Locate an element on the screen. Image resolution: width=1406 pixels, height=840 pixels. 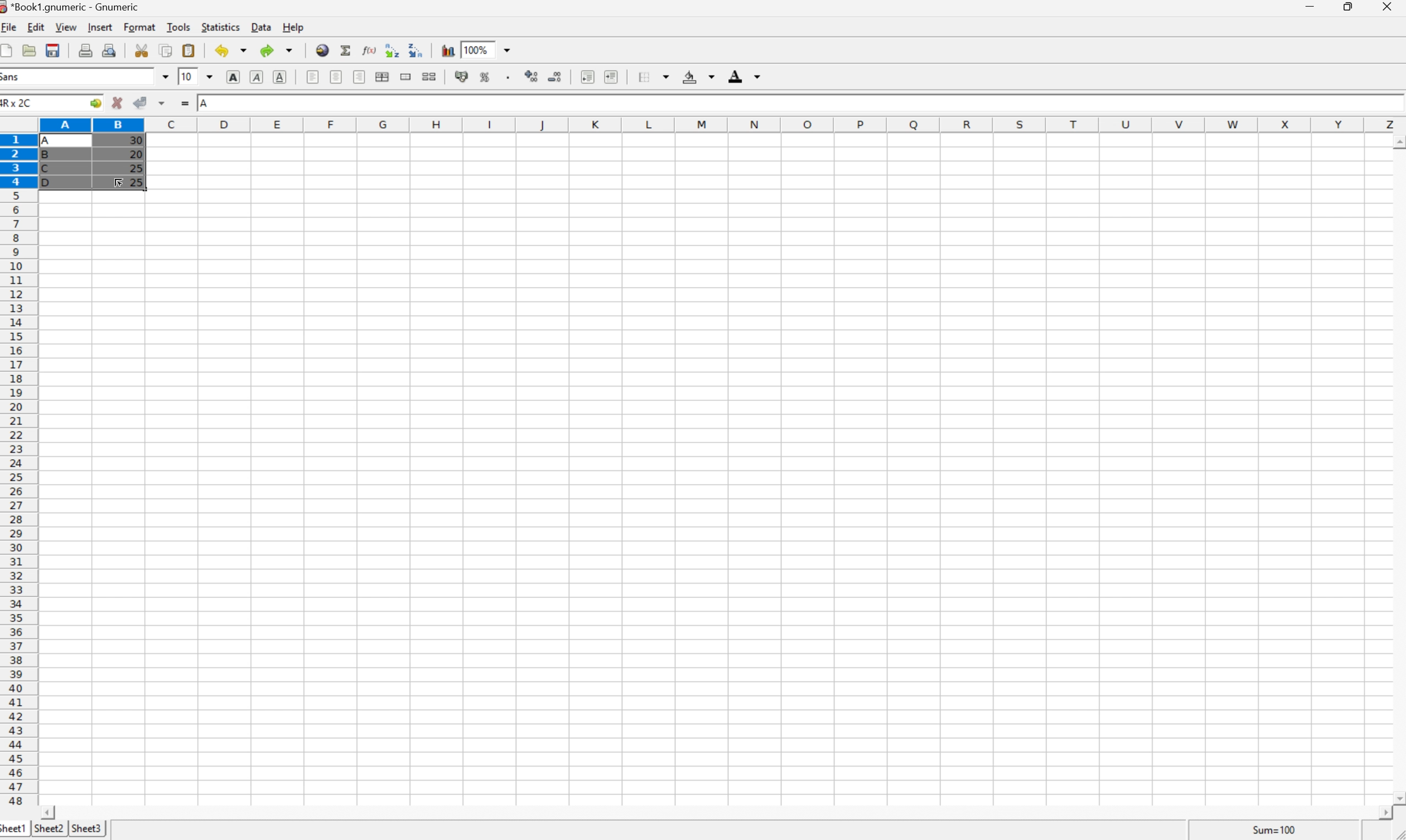
Format selection as accounting is located at coordinates (462, 76).